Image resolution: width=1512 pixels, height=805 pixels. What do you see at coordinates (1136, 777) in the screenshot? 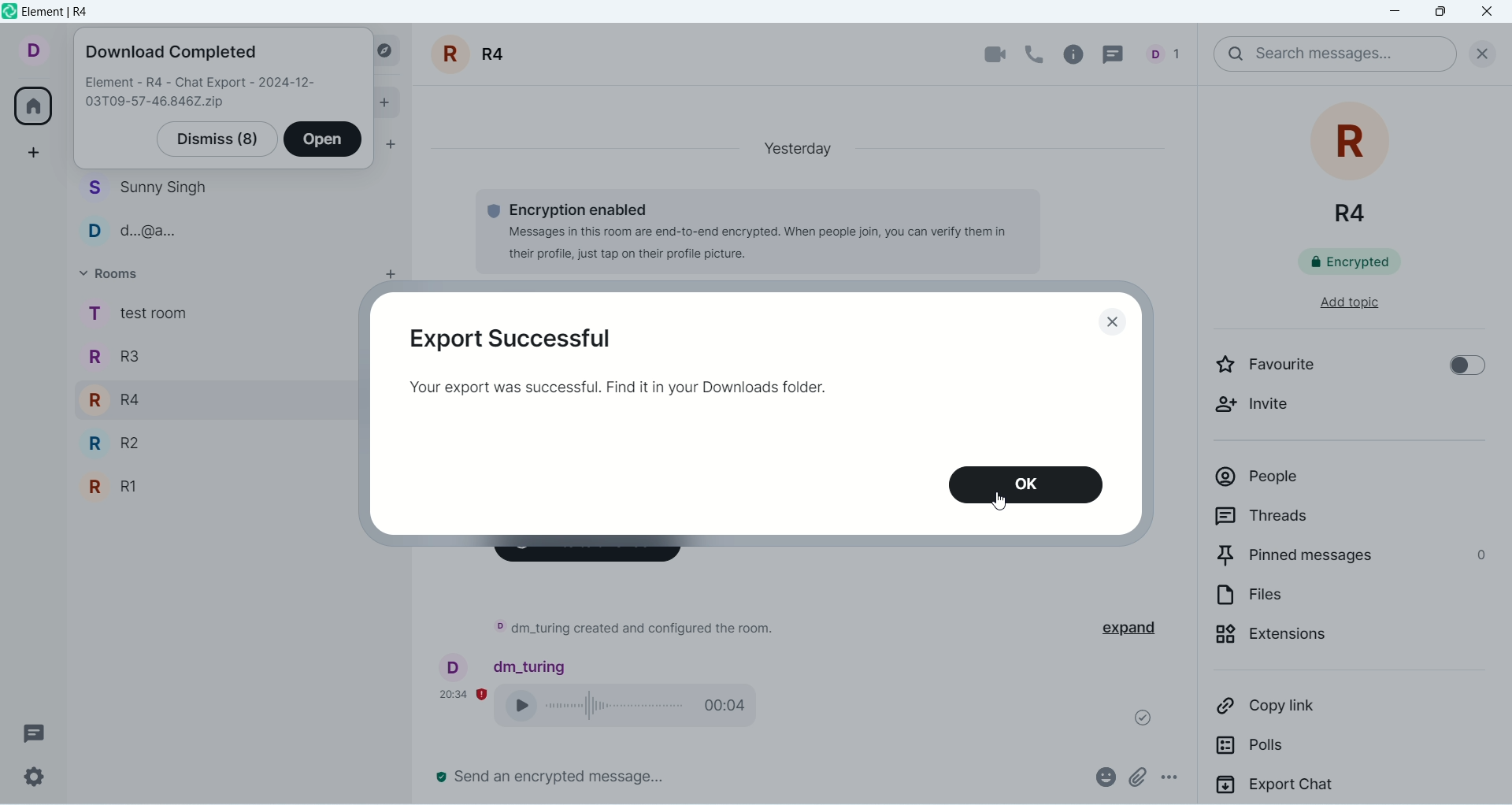
I see `attachment` at bounding box center [1136, 777].